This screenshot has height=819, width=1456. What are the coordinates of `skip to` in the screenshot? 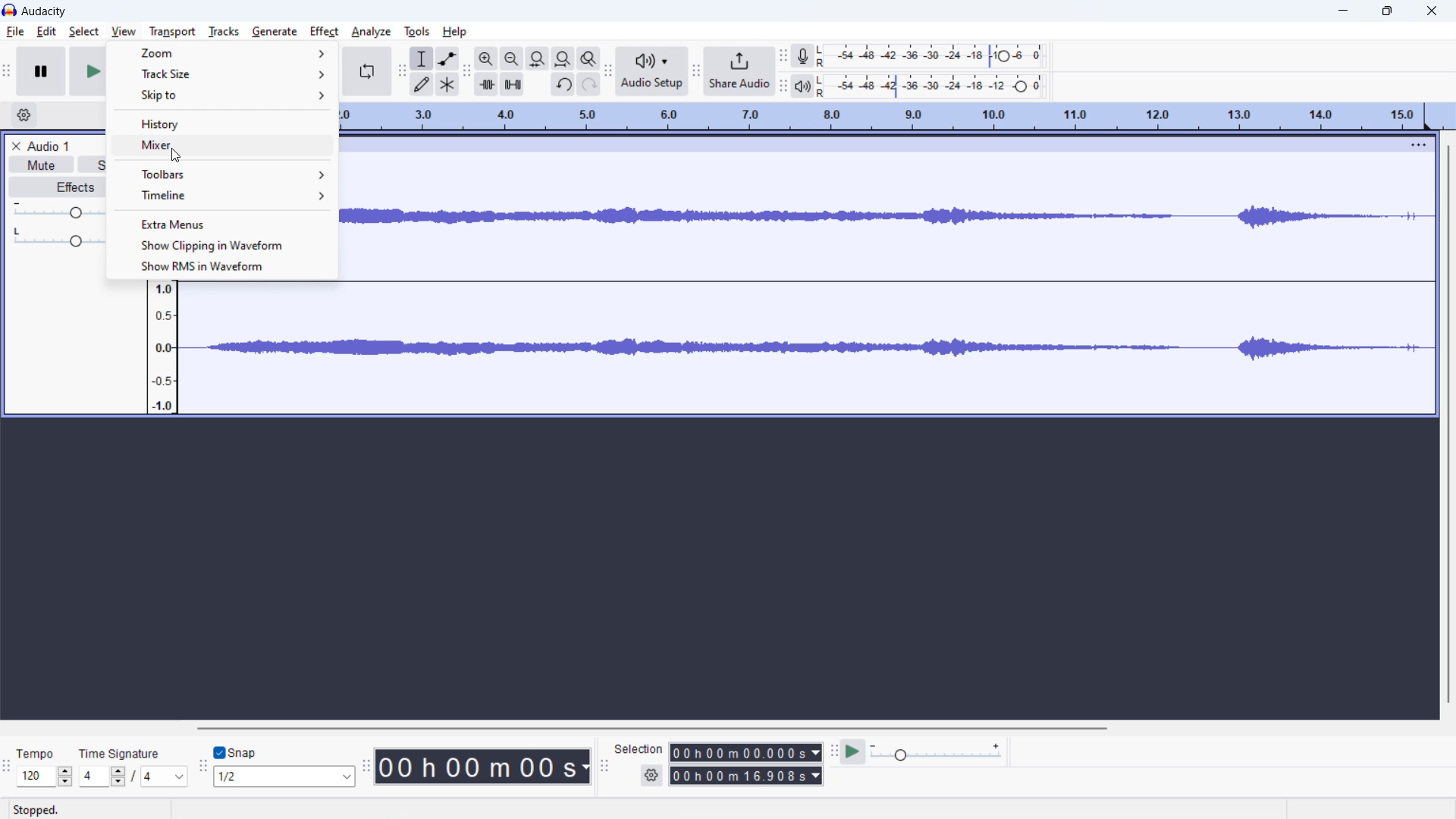 It's located at (224, 95).